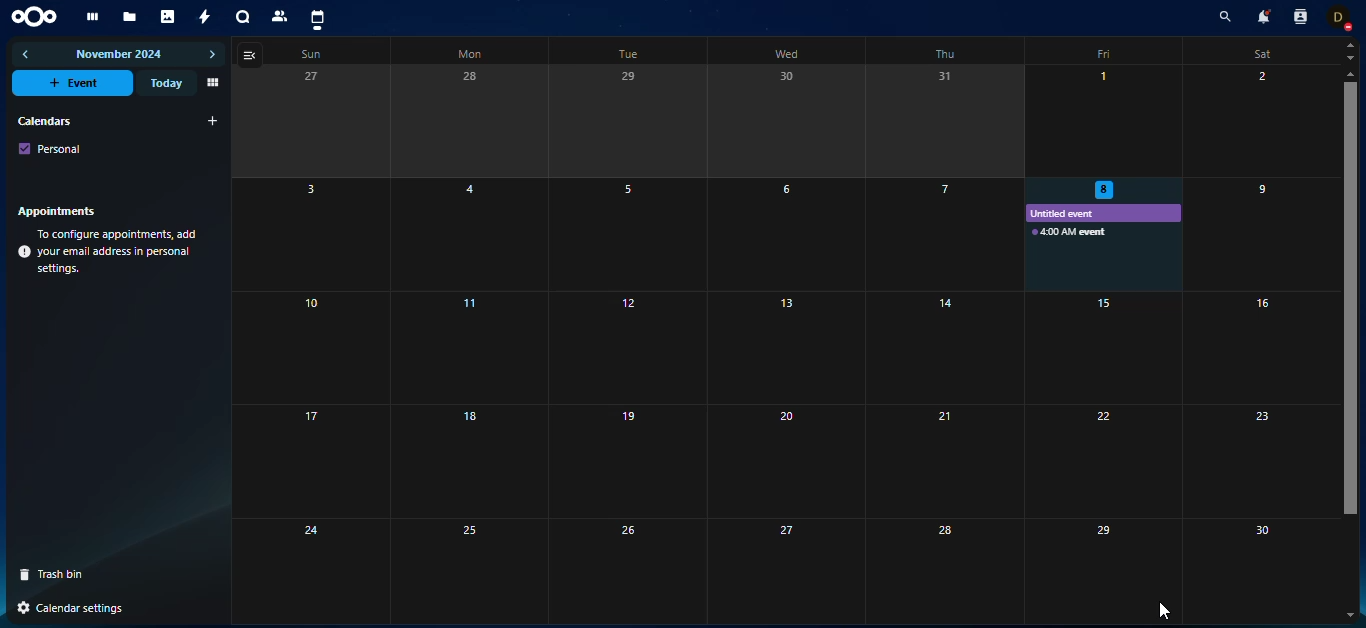  I want to click on up, so click(1350, 44).